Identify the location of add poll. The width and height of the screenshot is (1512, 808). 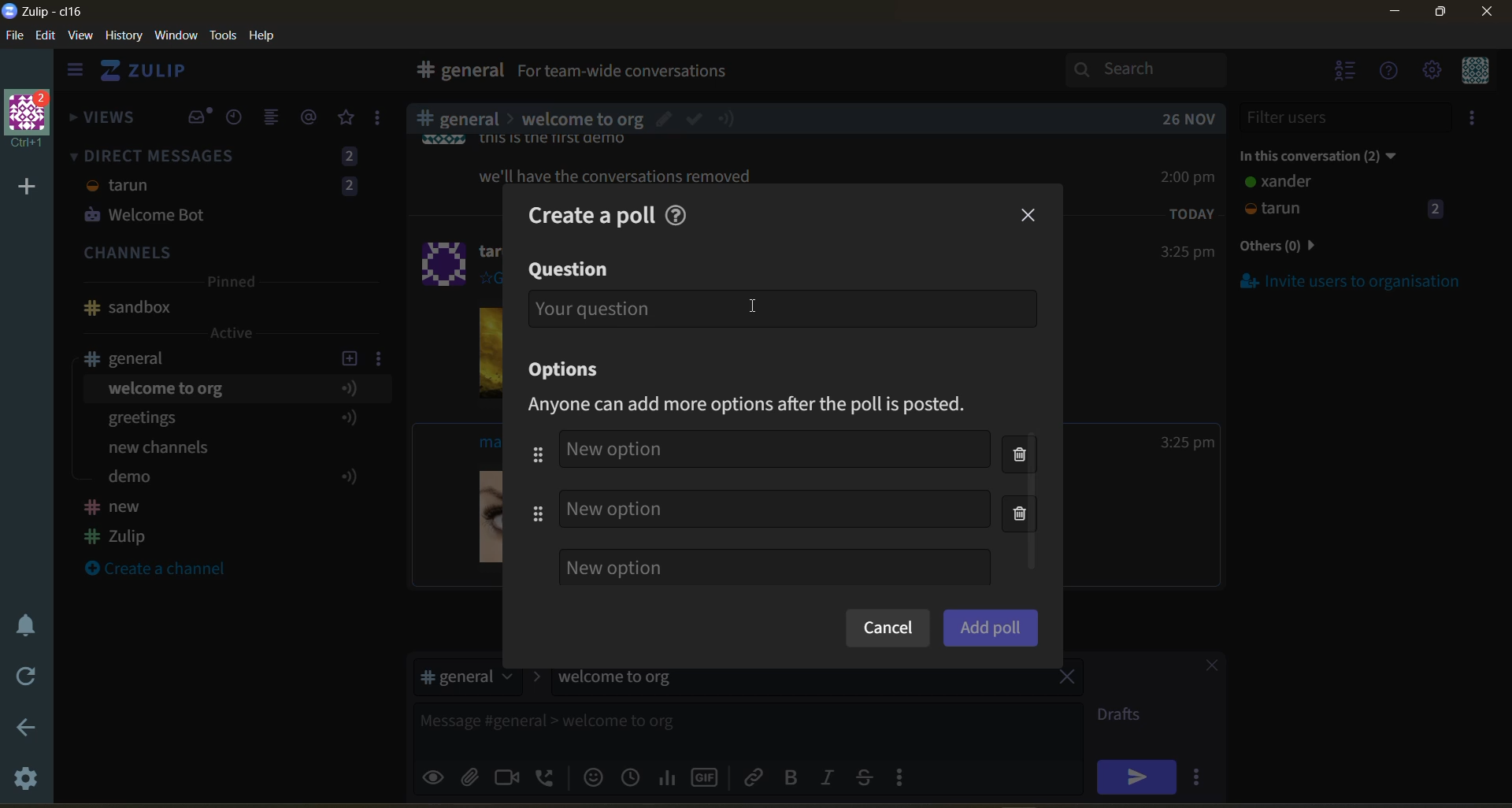
(991, 627).